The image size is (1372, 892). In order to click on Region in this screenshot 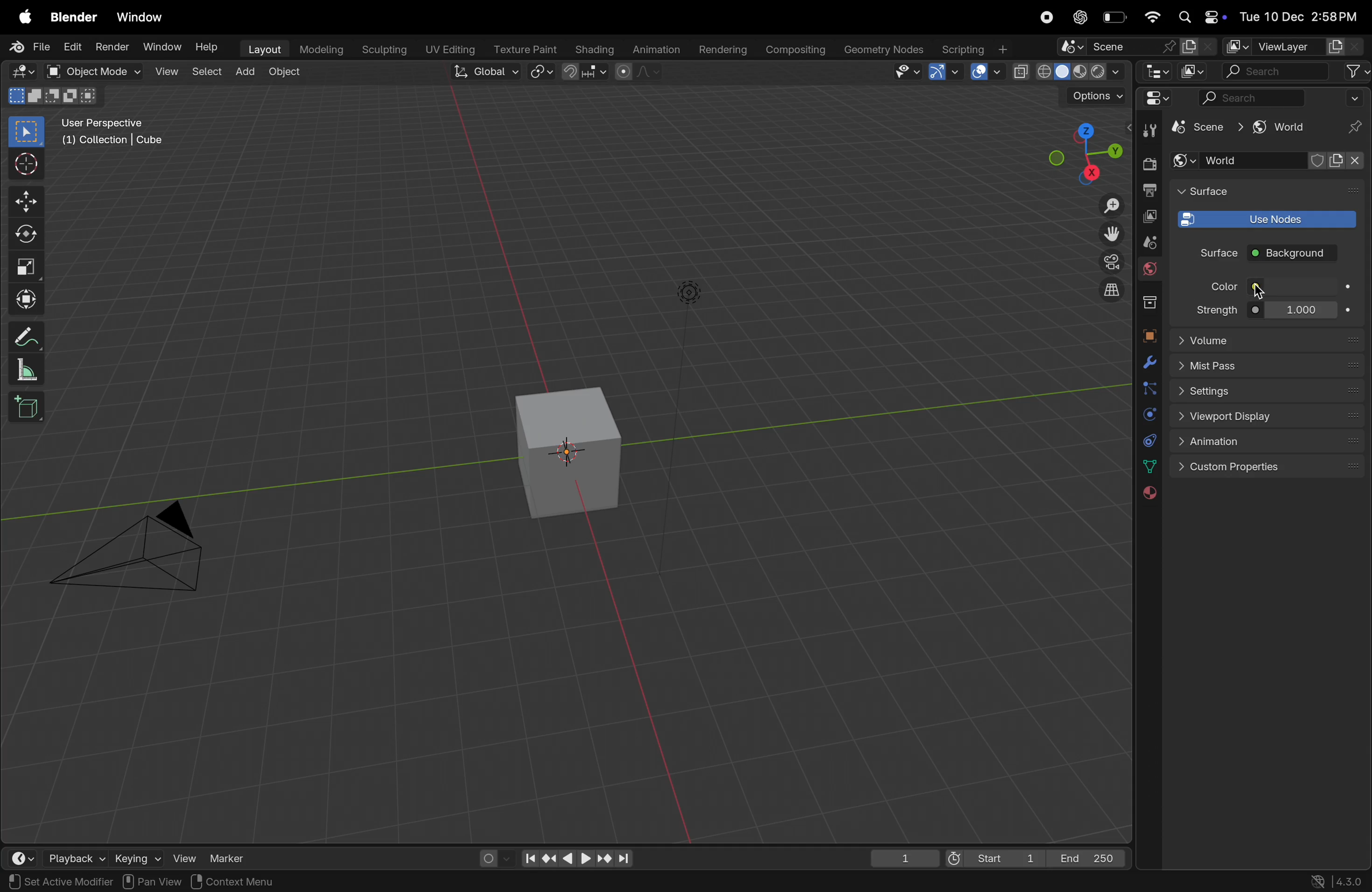, I will do `click(115, 881)`.